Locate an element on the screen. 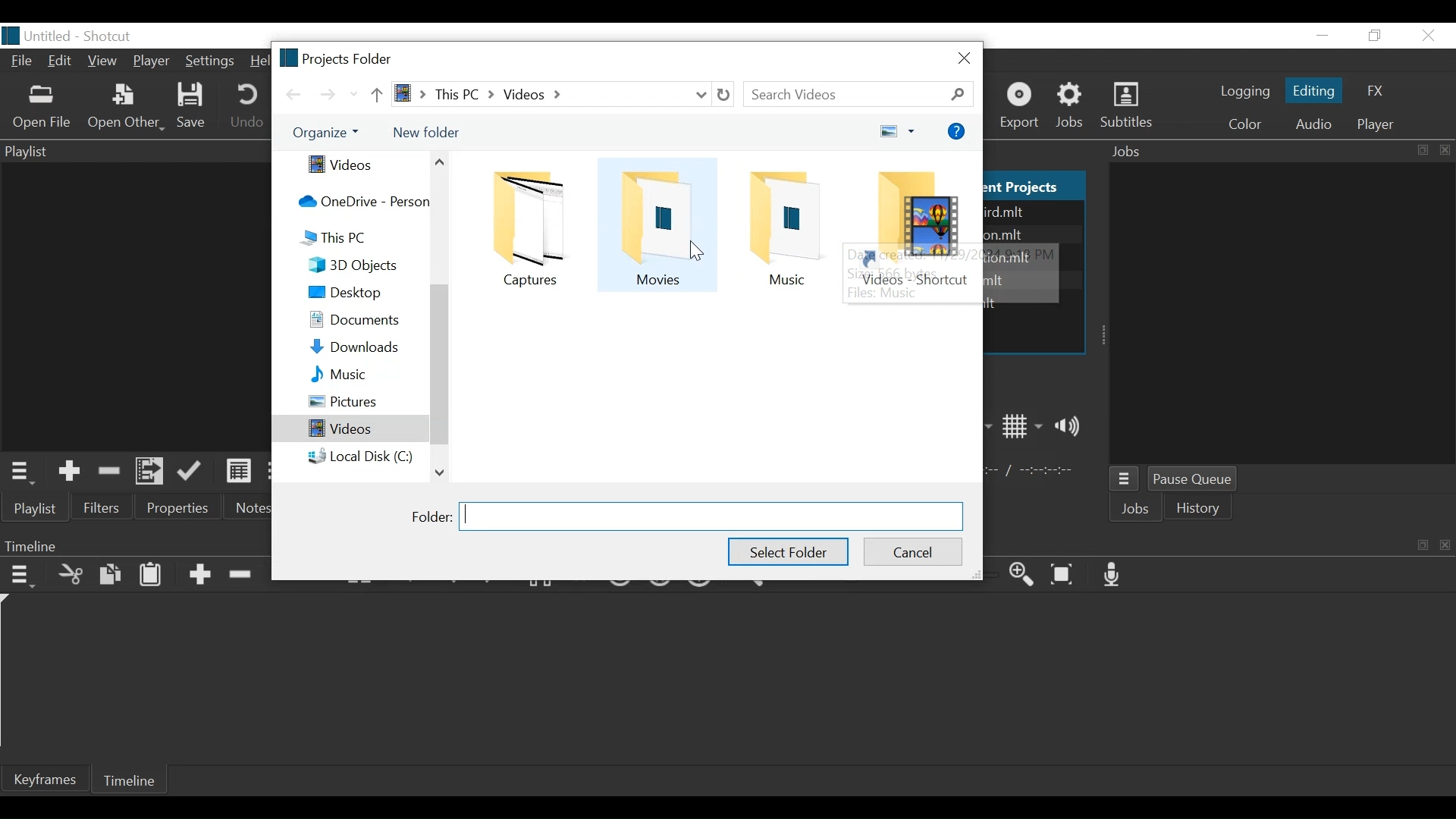 Image resolution: width=1456 pixels, height=819 pixels. Undo is located at coordinates (247, 108).